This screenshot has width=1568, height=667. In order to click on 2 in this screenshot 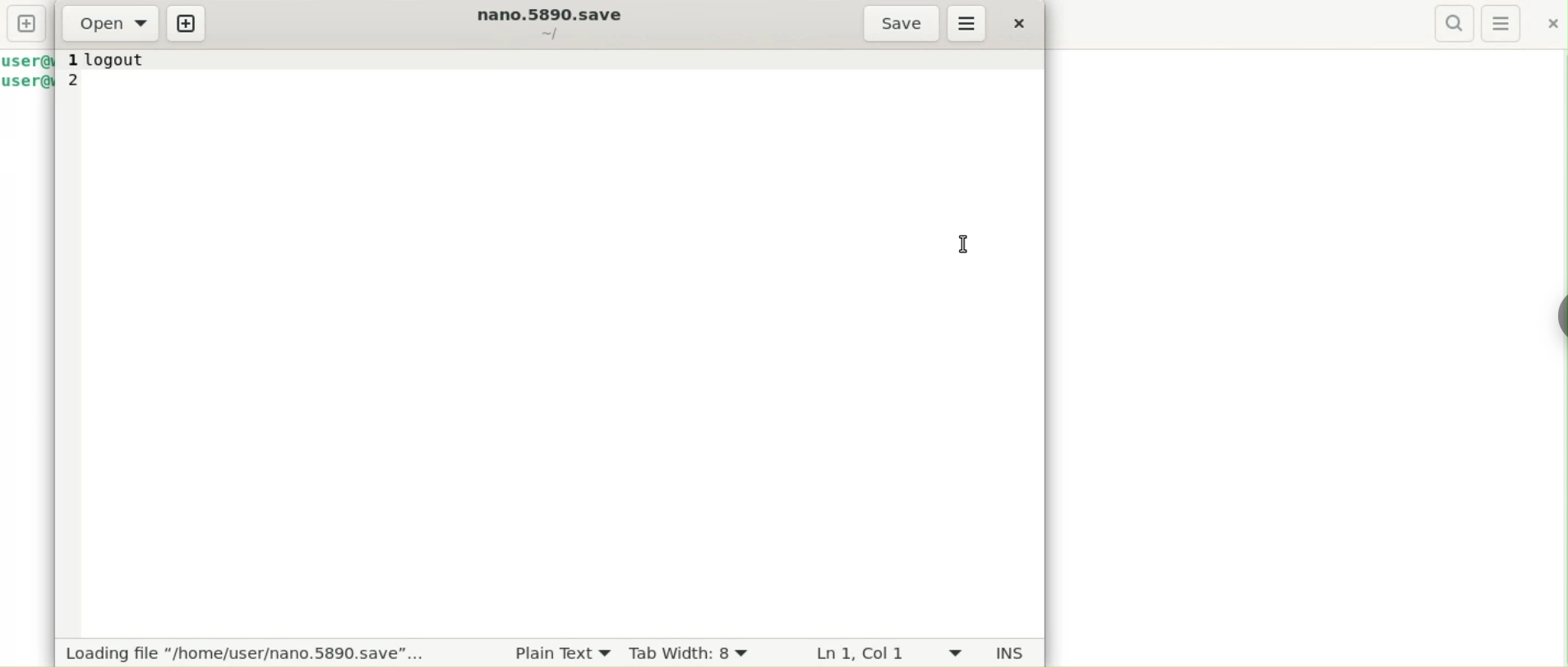, I will do `click(87, 82)`.